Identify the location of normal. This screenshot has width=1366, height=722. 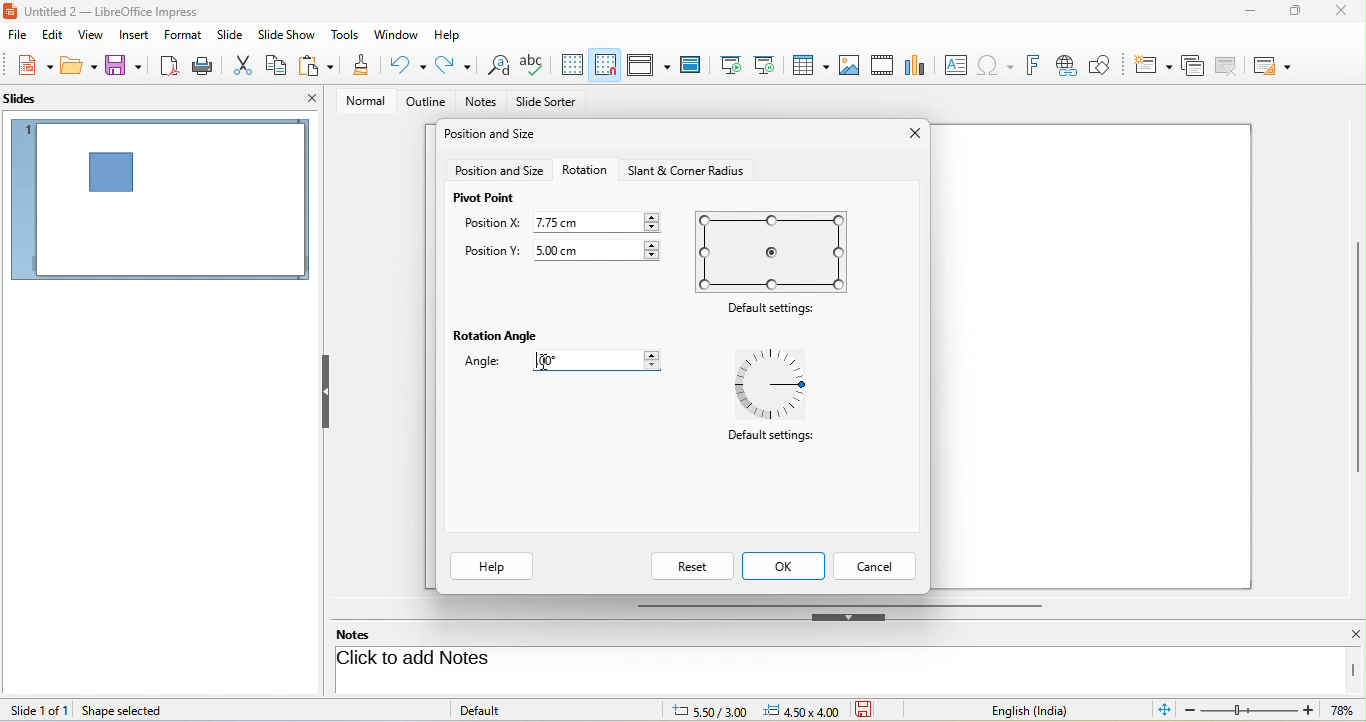
(359, 100).